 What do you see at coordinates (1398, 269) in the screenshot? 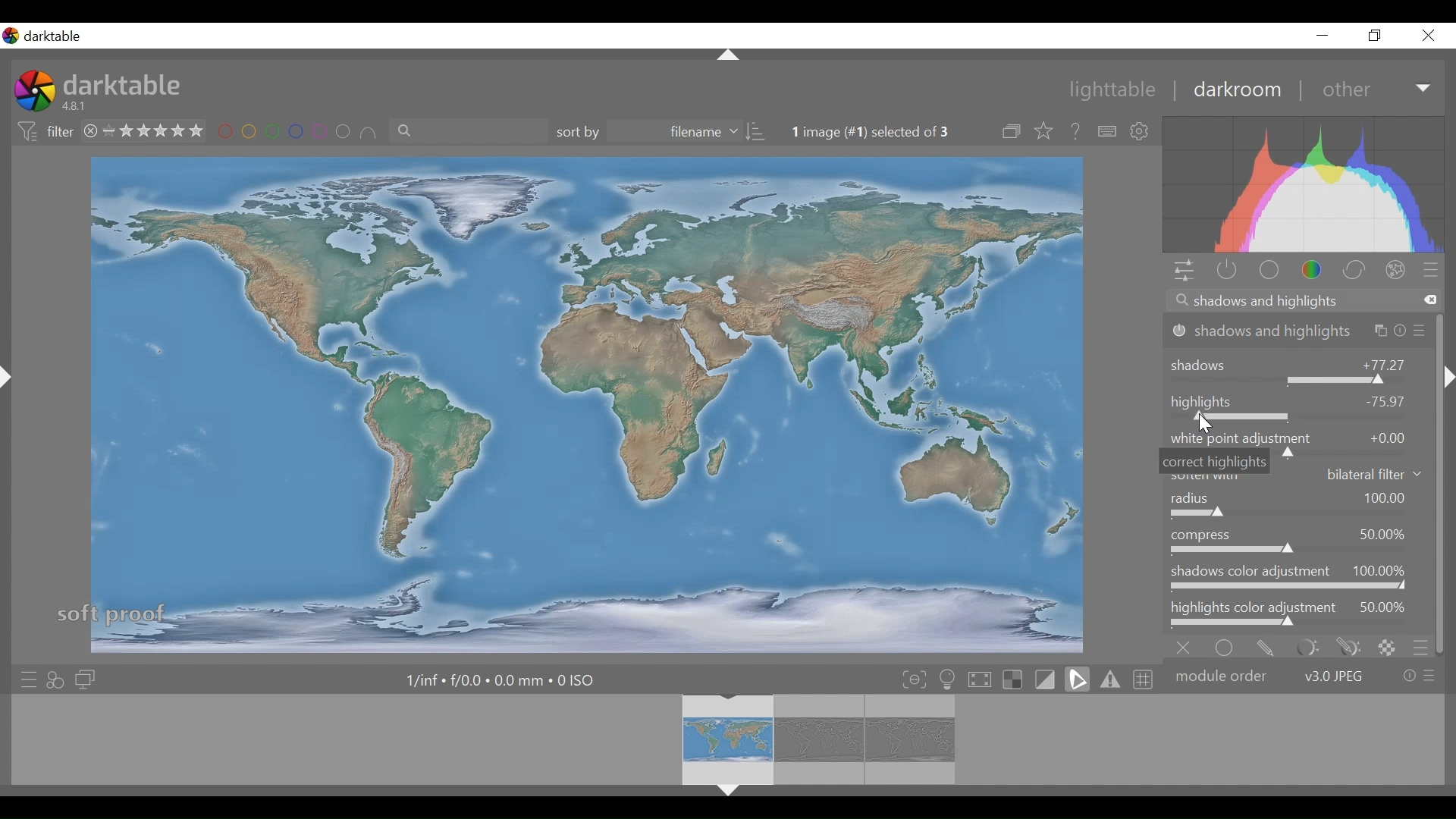
I see `effect` at bounding box center [1398, 269].